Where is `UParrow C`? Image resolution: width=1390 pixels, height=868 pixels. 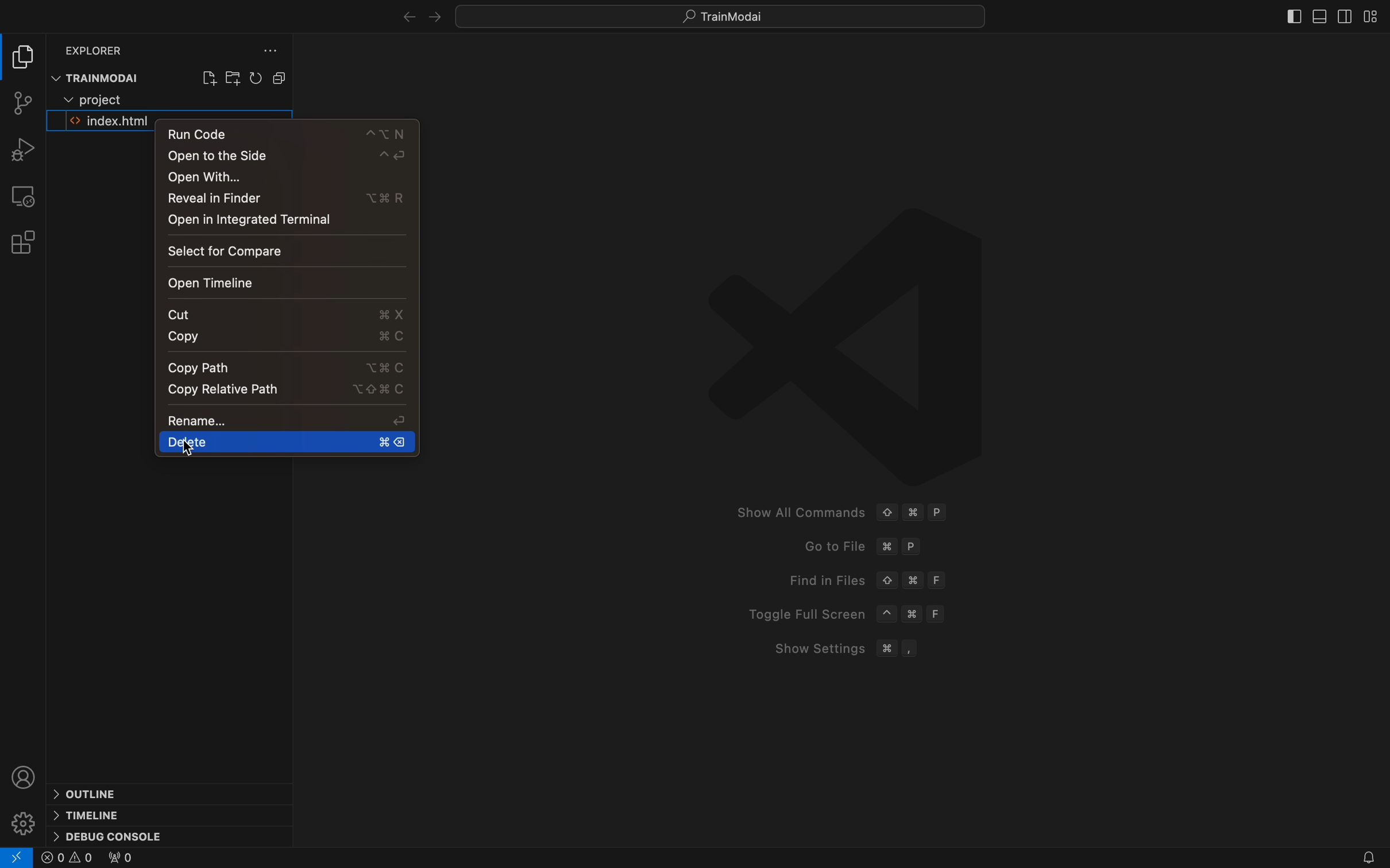
UParrow C is located at coordinates (379, 390).